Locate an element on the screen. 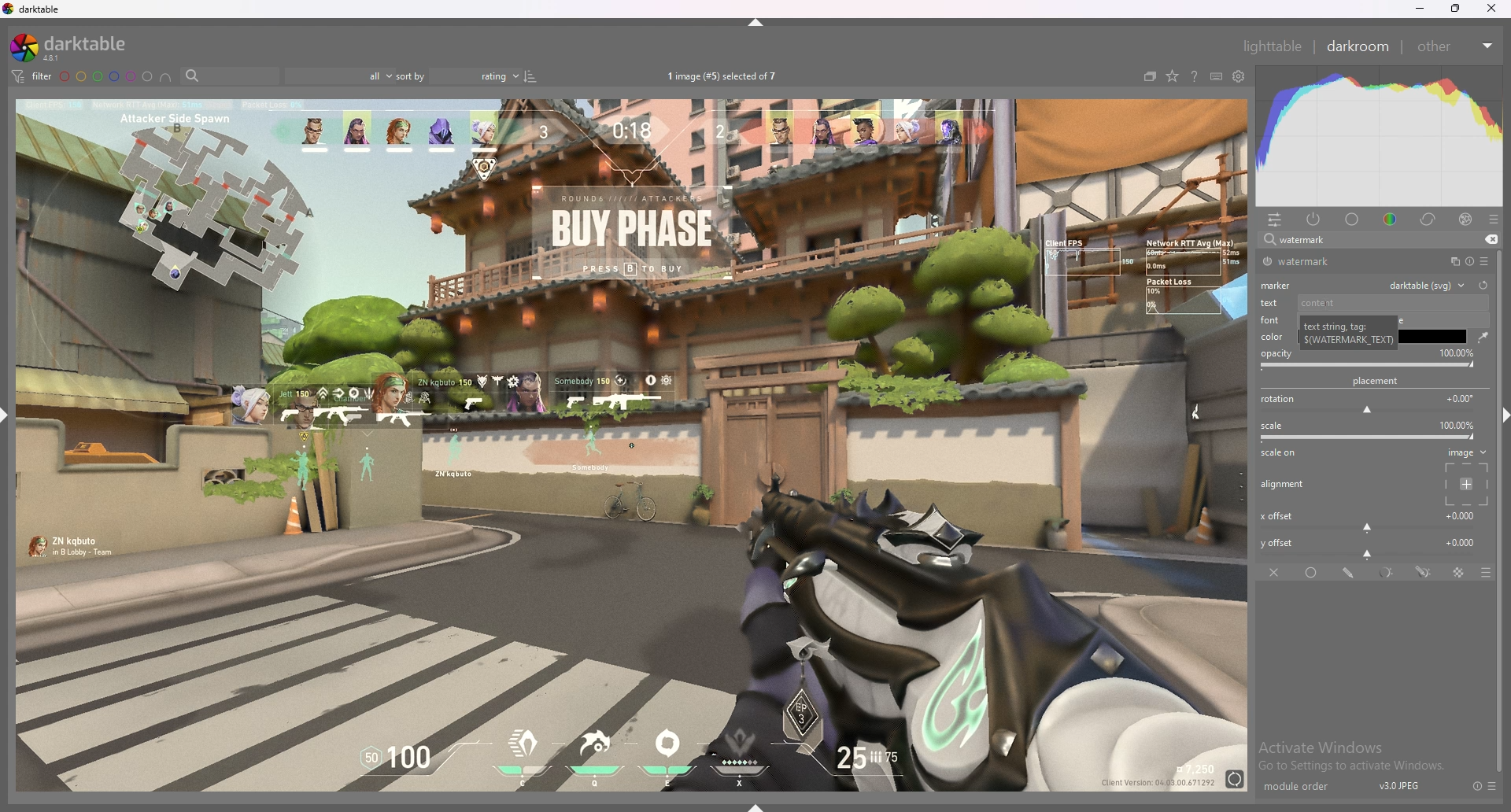  darkroom is located at coordinates (1359, 45).